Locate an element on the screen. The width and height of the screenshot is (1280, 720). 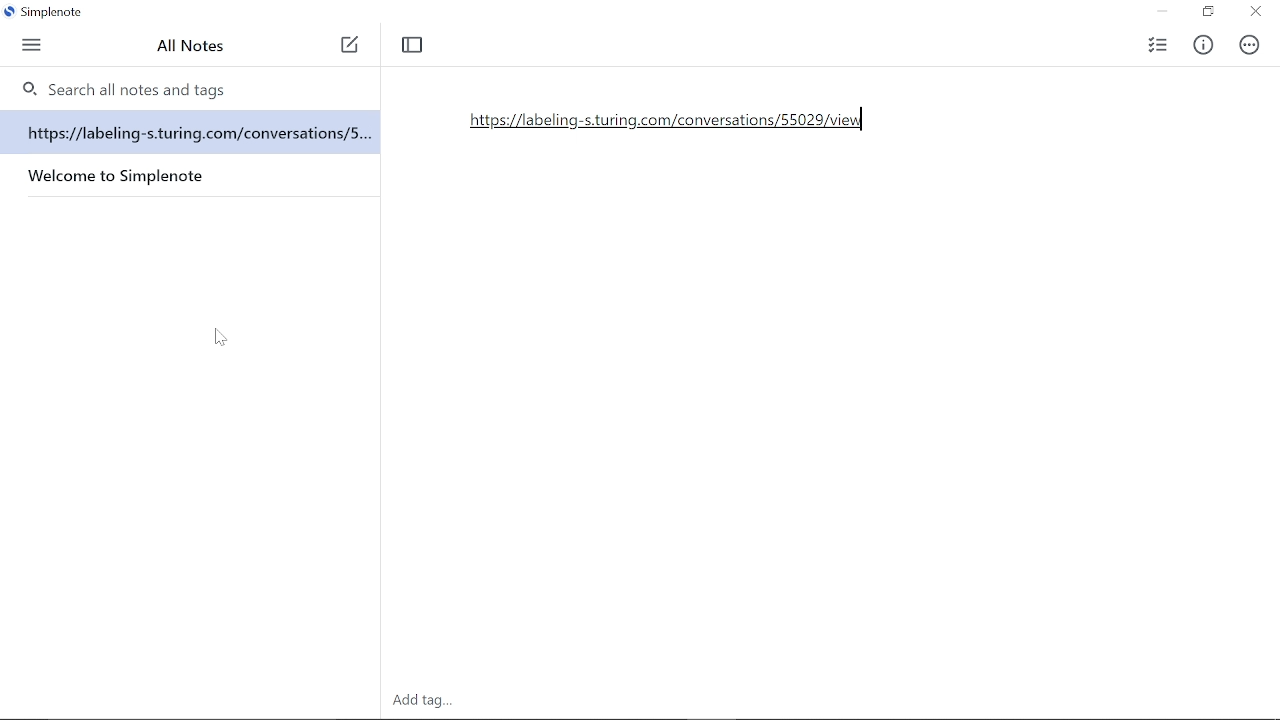
Actions is located at coordinates (1251, 48).